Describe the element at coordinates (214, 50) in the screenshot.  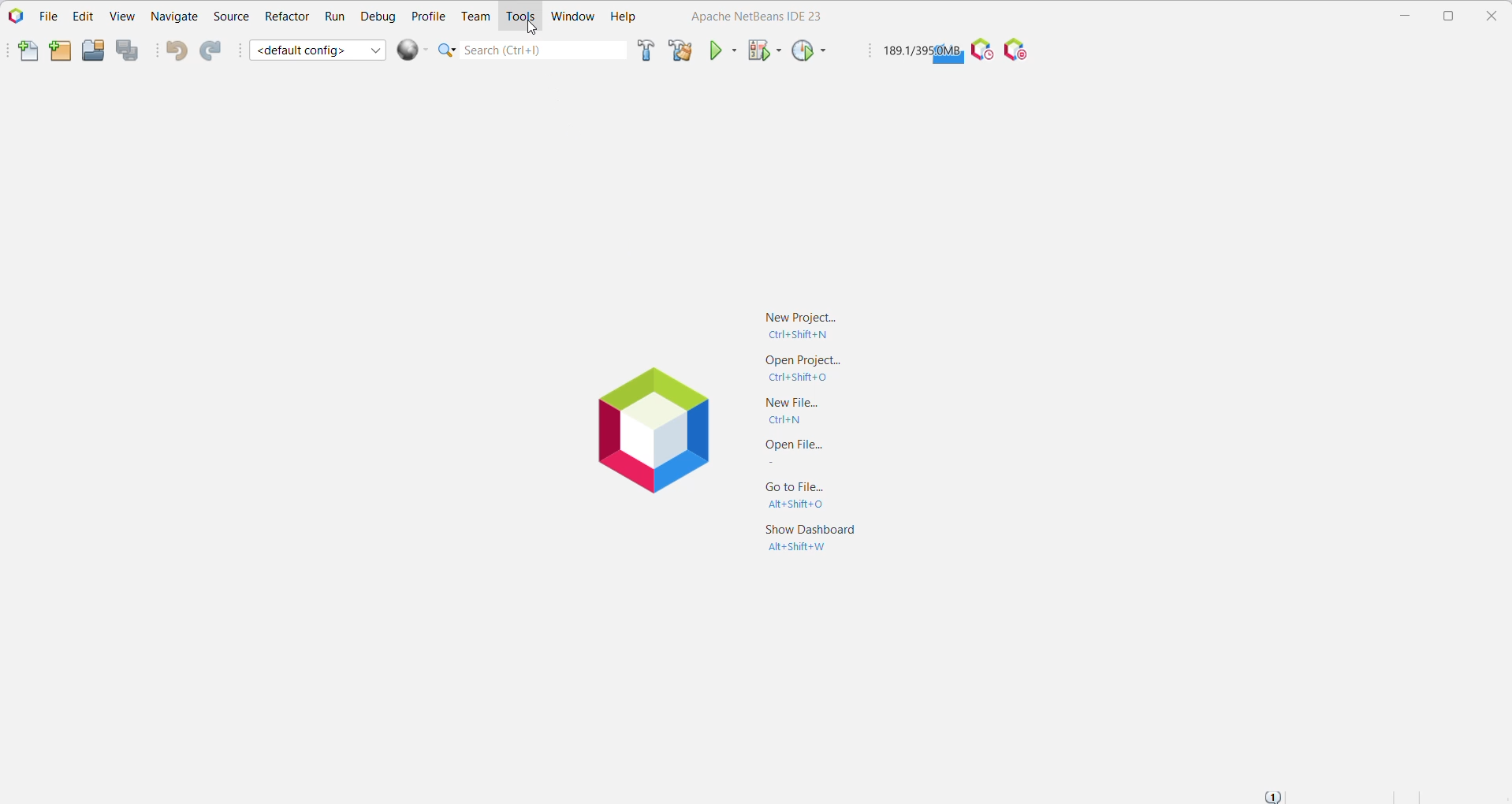
I see `Redo` at that location.